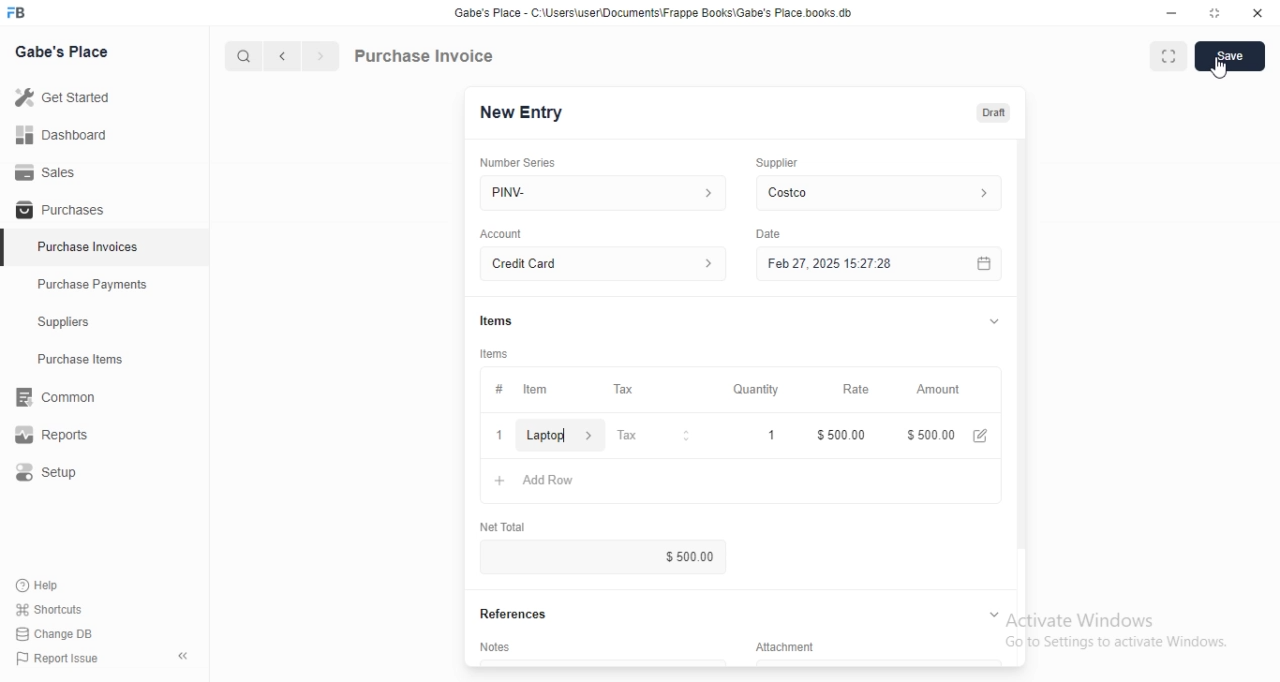 This screenshot has height=682, width=1280. Describe the element at coordinates (50, 609) in the screenshot. I see `Shortcuts` at that location.